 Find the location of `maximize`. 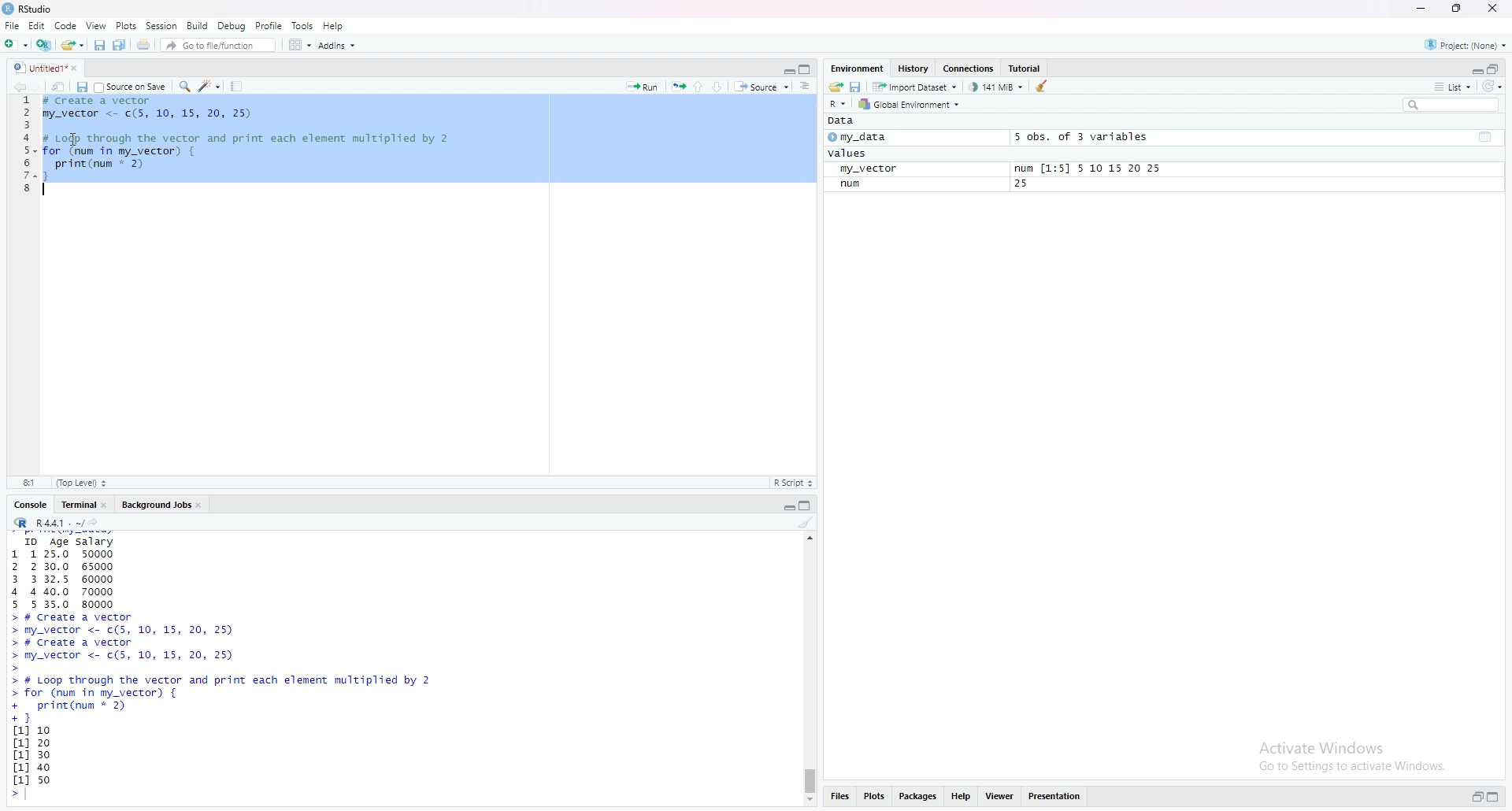

maximize is located at coordinates (1458, 8).